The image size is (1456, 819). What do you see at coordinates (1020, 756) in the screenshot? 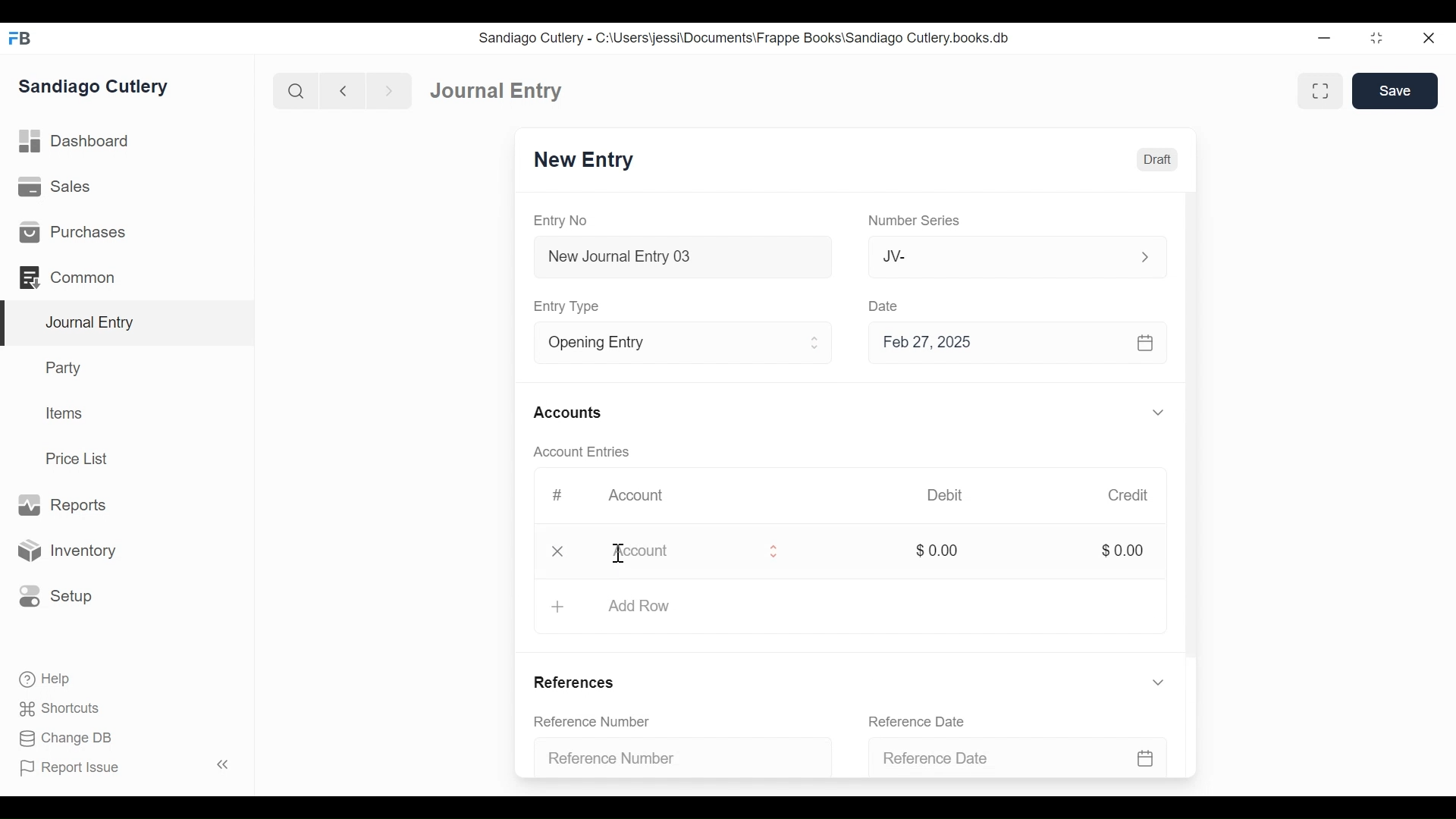
I see `Reference Date` at bounding box center [1020, 756].